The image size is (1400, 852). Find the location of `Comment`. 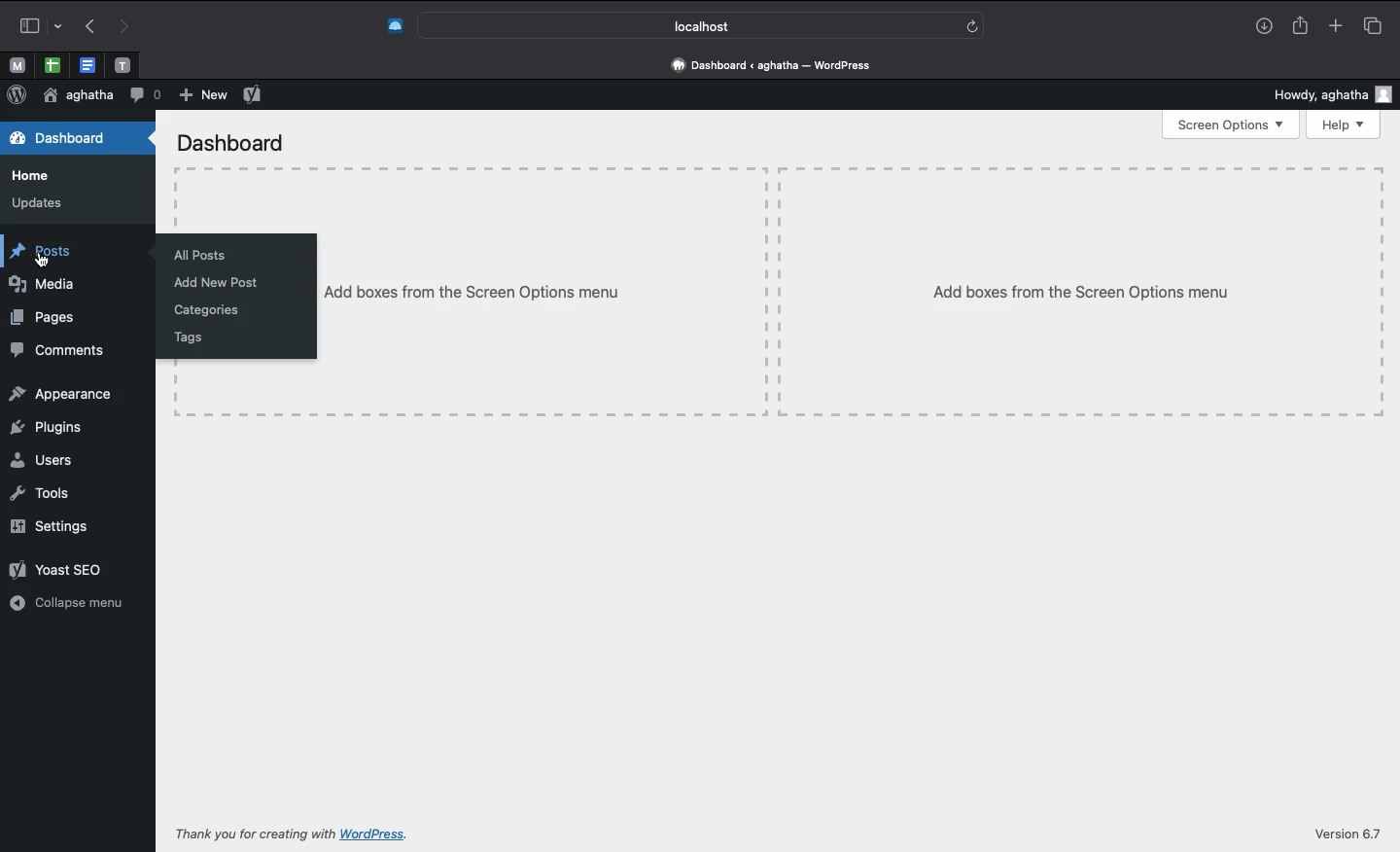

Comment is located at coordinates (146, 96).